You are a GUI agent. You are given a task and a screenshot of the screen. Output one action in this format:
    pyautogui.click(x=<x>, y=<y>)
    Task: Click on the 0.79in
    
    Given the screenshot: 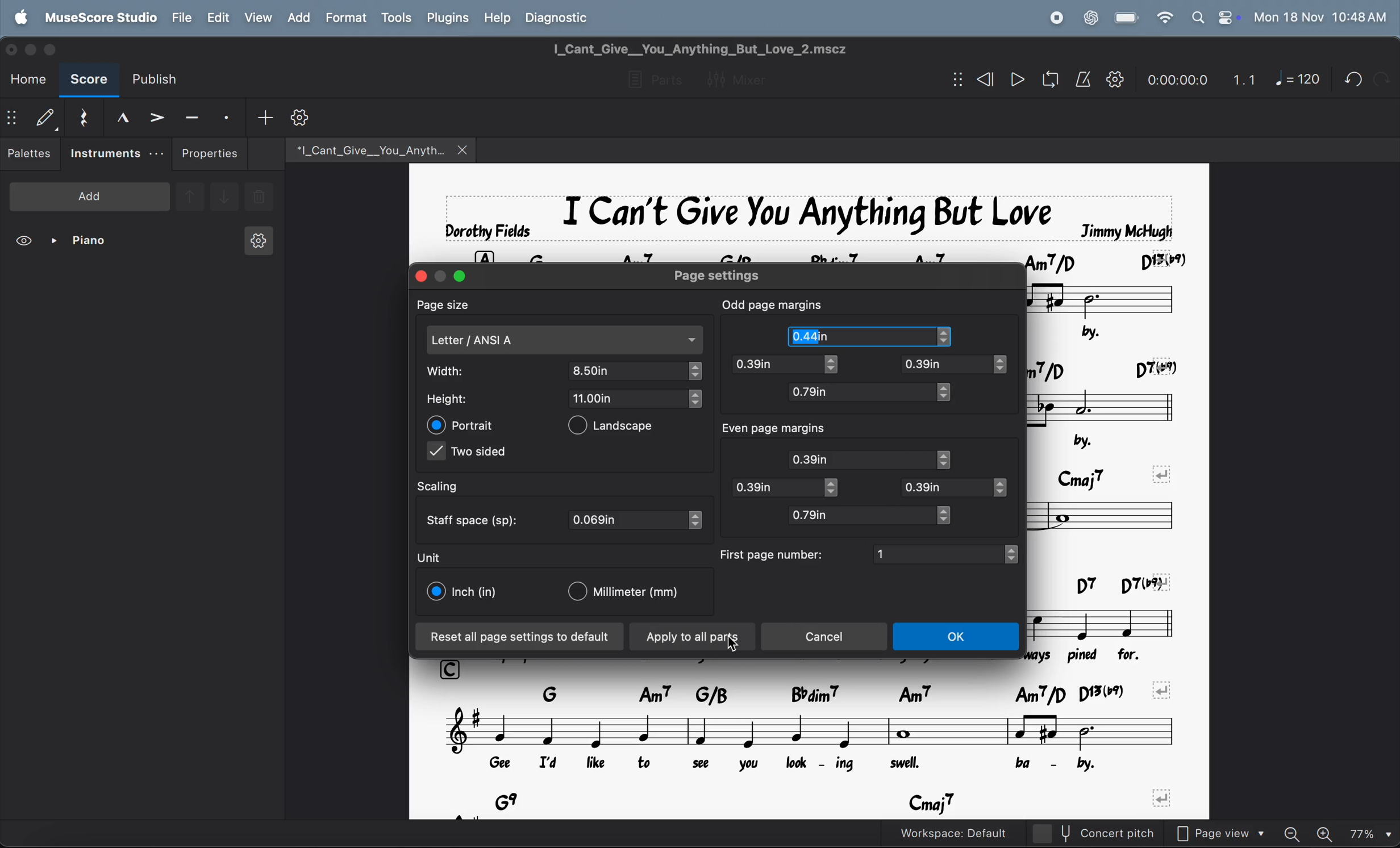 What is the action you would take?
    pyautogui.click(x=859, y=392)
    